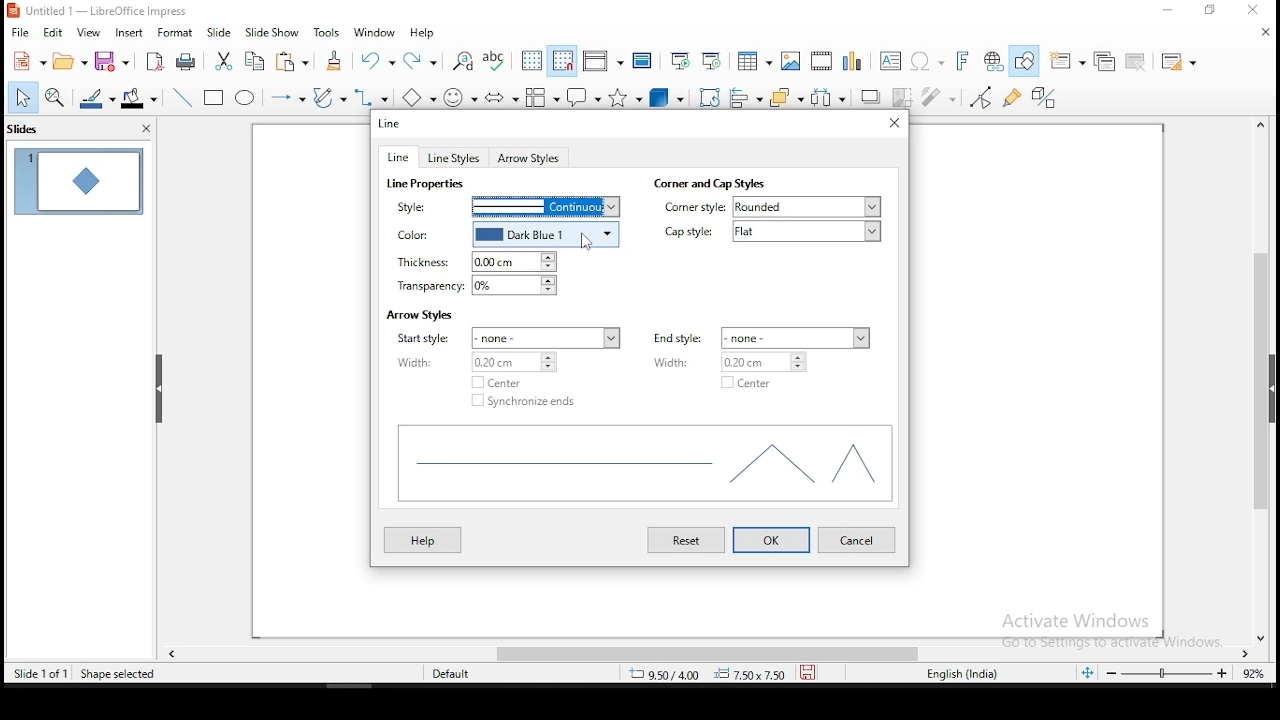  I want to click on cancel, so click(858, 540).